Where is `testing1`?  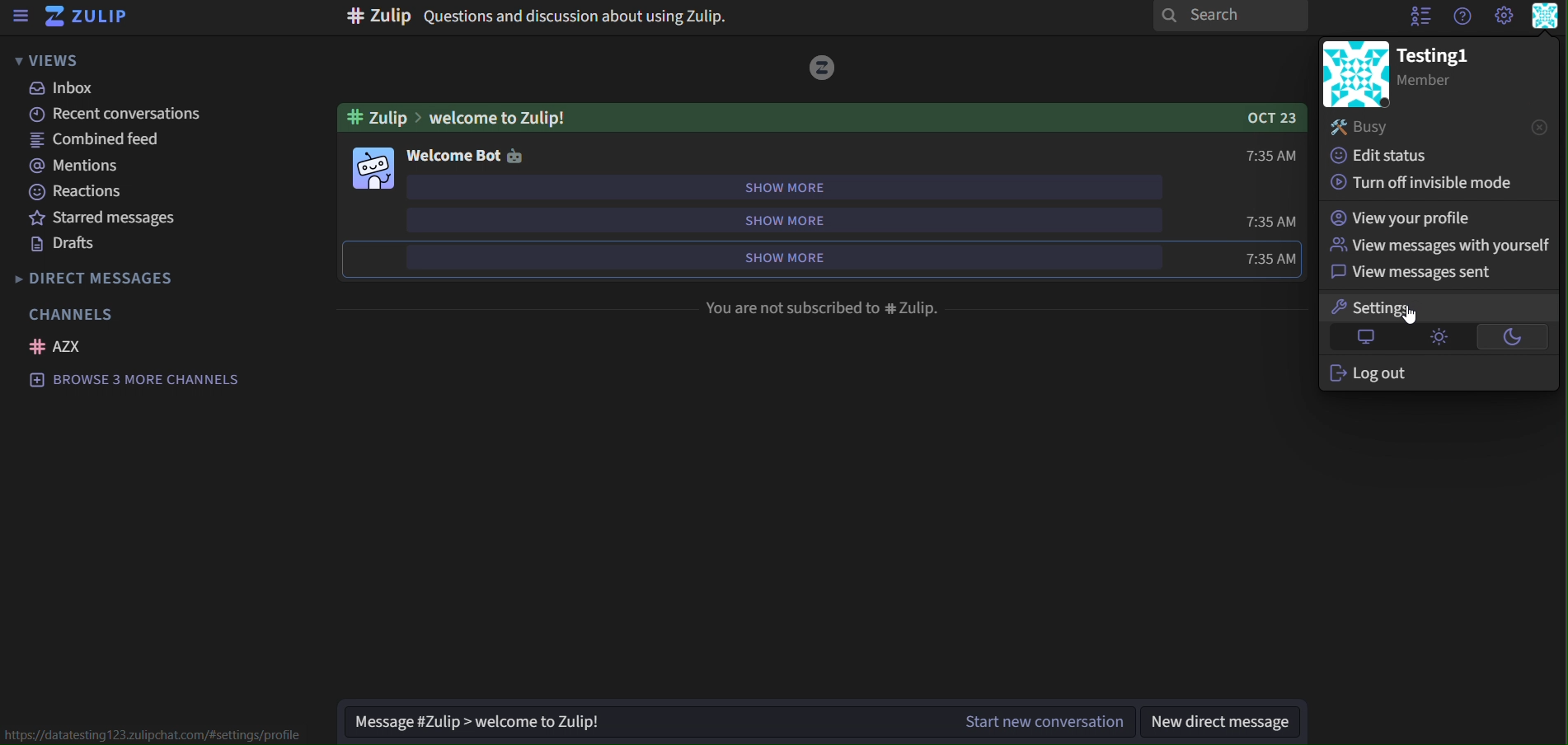
testing1 is located at coordinates (1439, 55).